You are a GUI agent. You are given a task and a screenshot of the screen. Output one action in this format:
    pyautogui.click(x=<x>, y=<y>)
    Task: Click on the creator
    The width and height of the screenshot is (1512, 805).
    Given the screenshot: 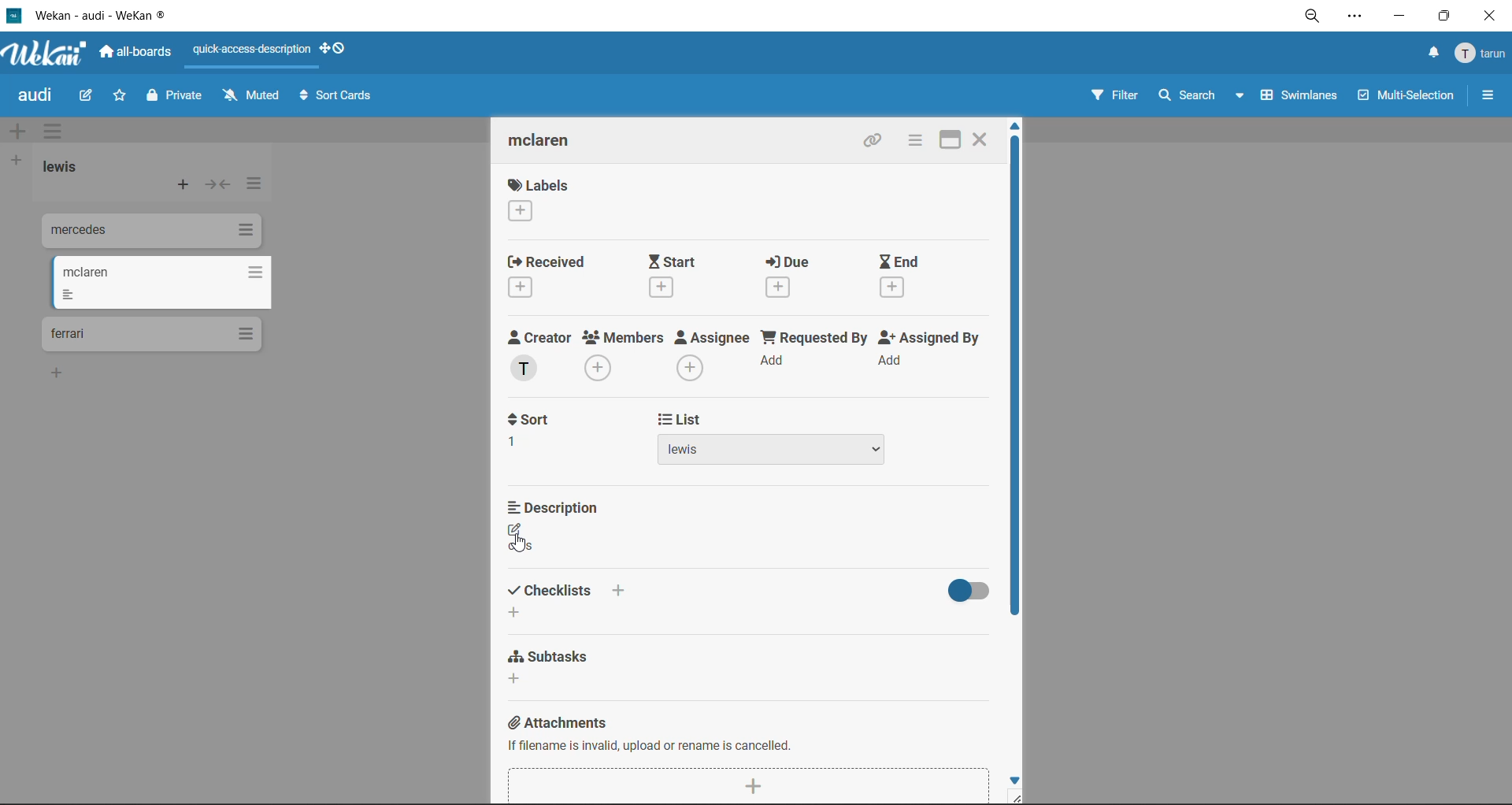 What is the action you would take?
    pyautogui.click(x=543, y=356)
    